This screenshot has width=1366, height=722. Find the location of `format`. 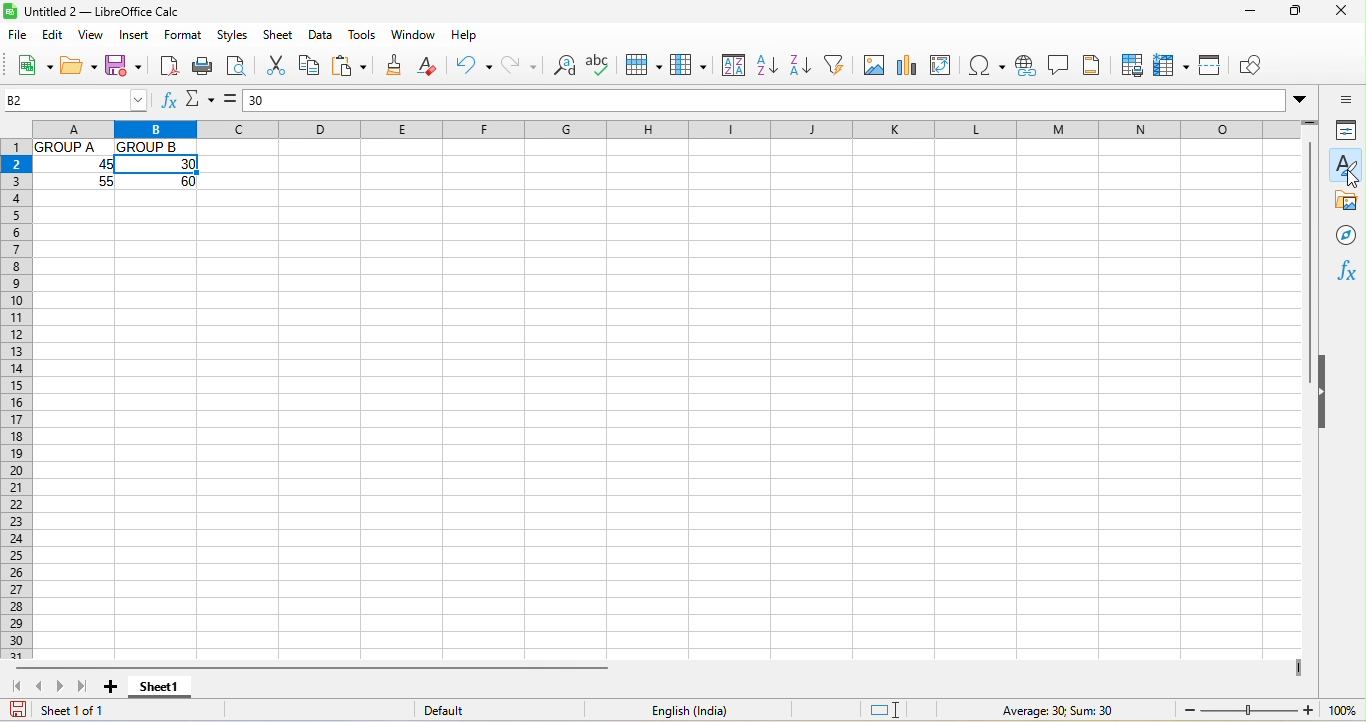

format is located at coordinates (185, 36).